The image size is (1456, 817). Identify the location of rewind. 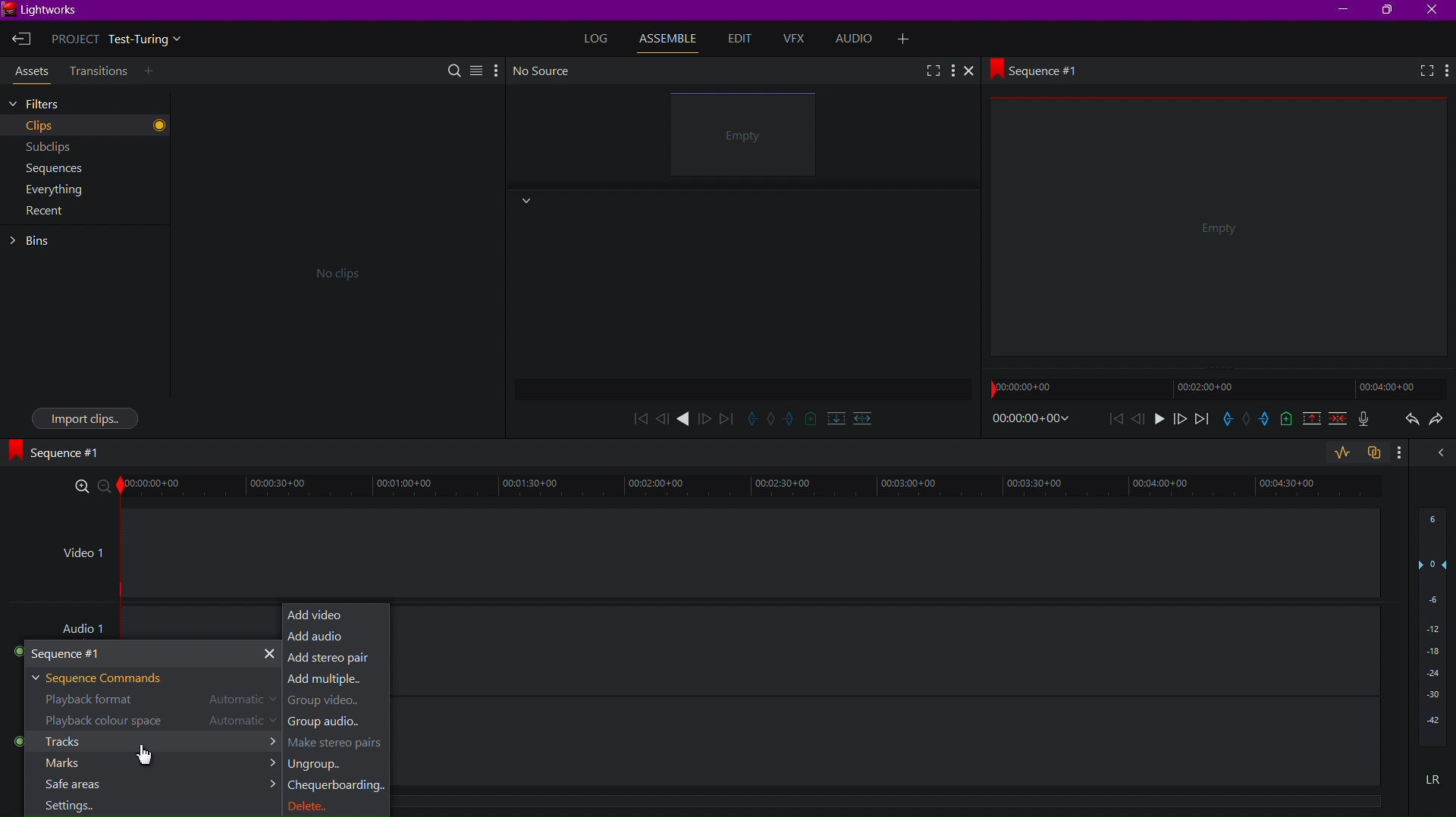
(662, 418).